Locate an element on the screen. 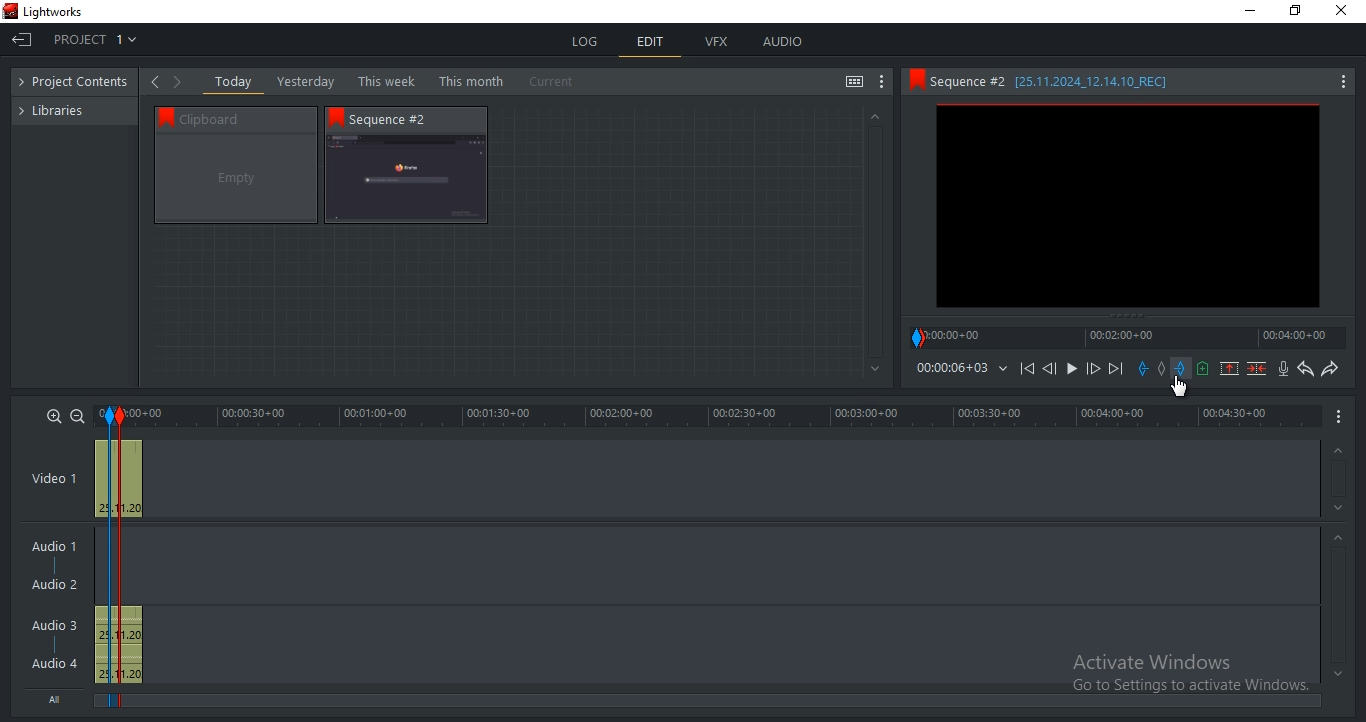 This screenshot has width=1366, height=722. Close is located at coordinates (1345, 11).